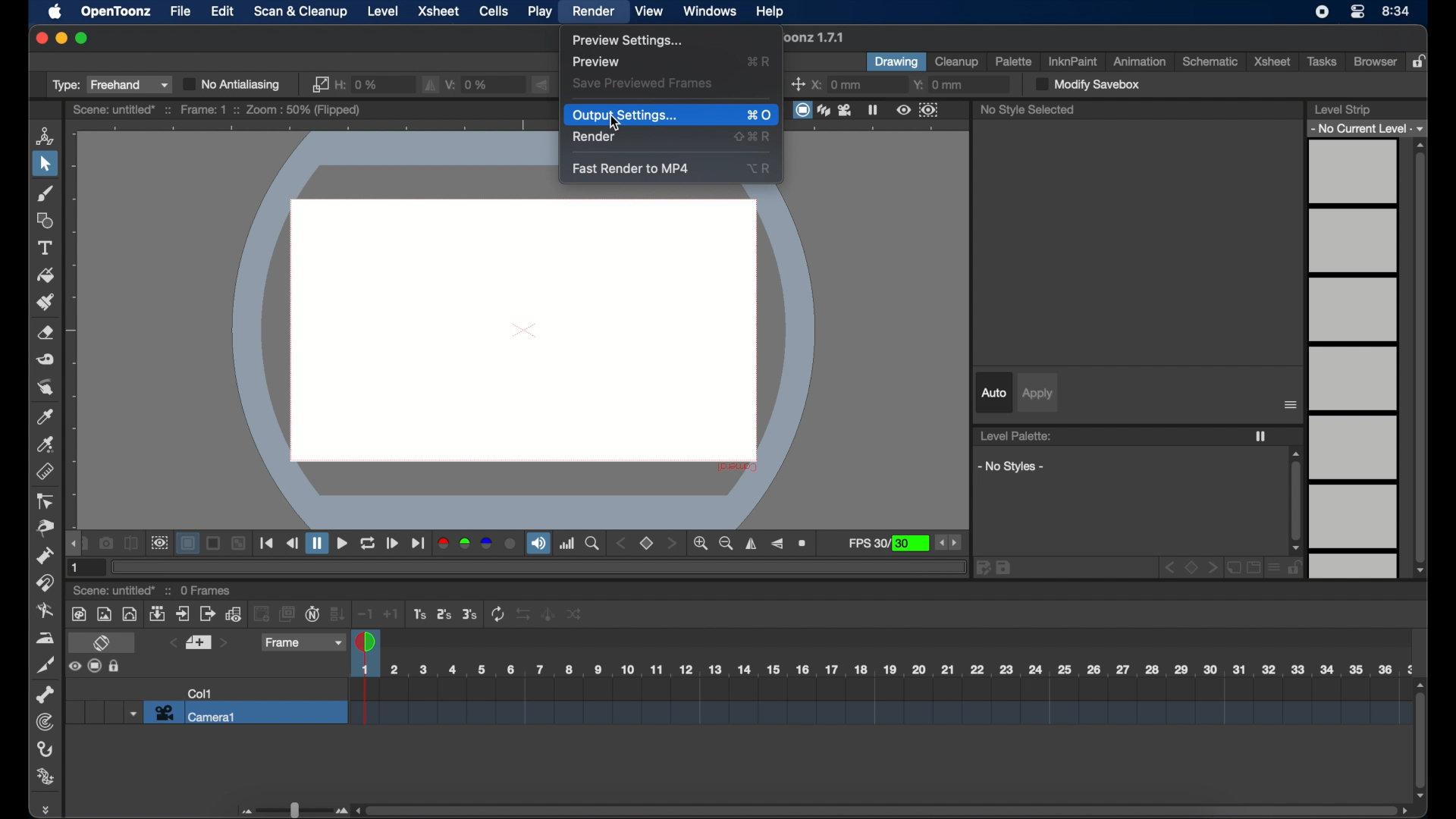 The width and height of the screenshot is (1456, 819). I want to click on hook tool, so click(46, 749).